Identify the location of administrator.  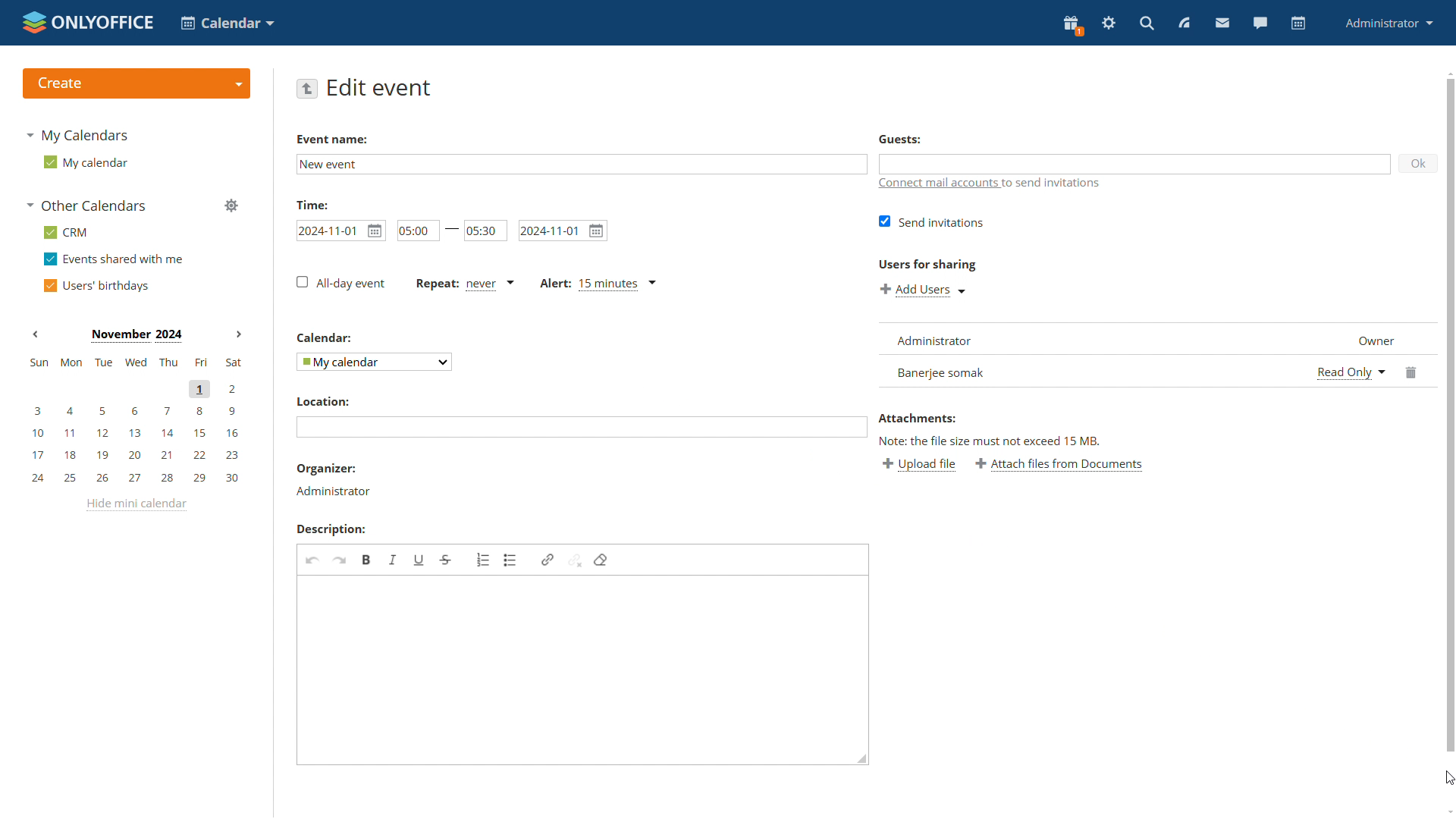
(1387, 24).